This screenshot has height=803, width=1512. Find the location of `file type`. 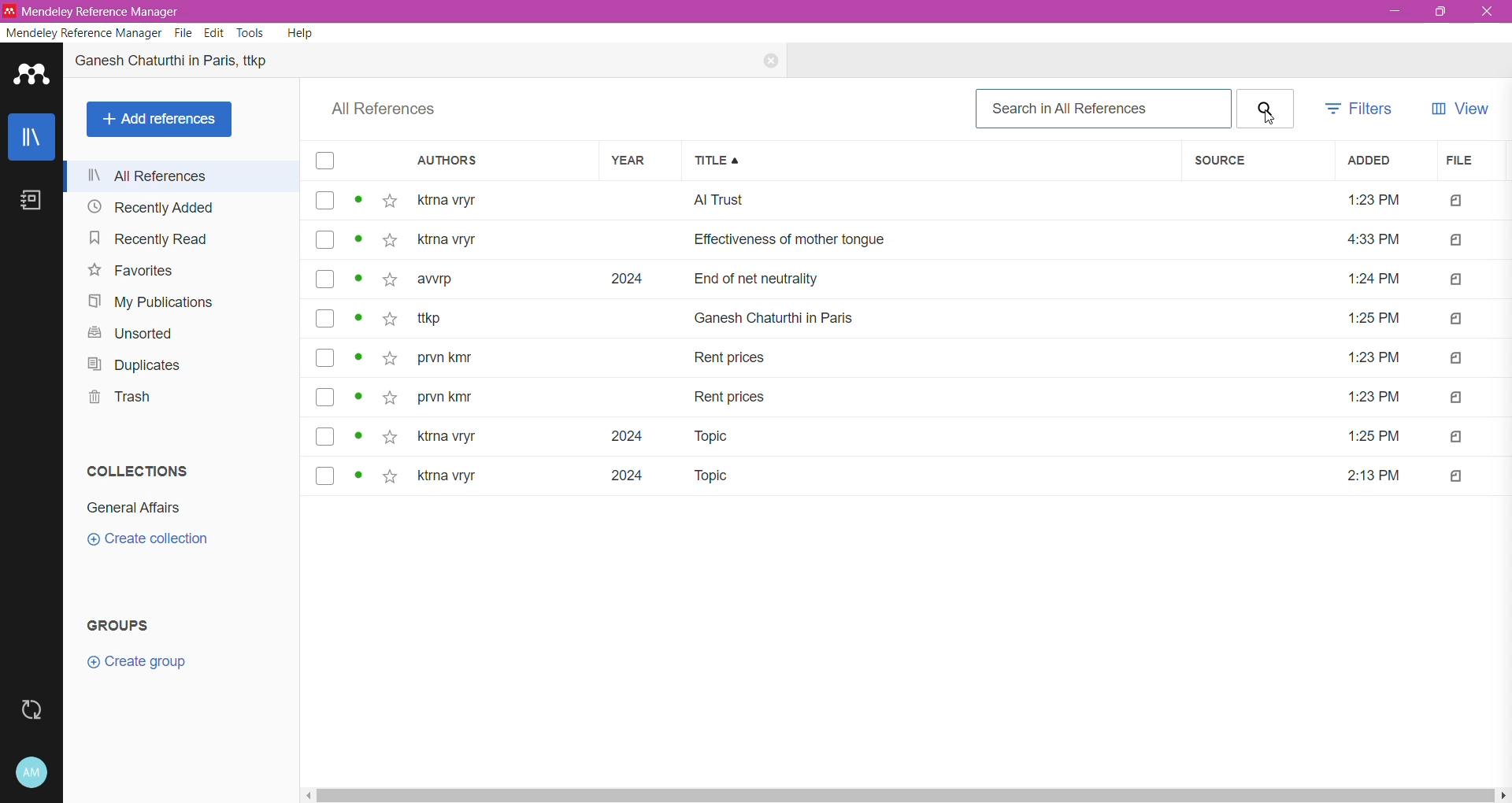

file type is located at coordinates (1454, 240).